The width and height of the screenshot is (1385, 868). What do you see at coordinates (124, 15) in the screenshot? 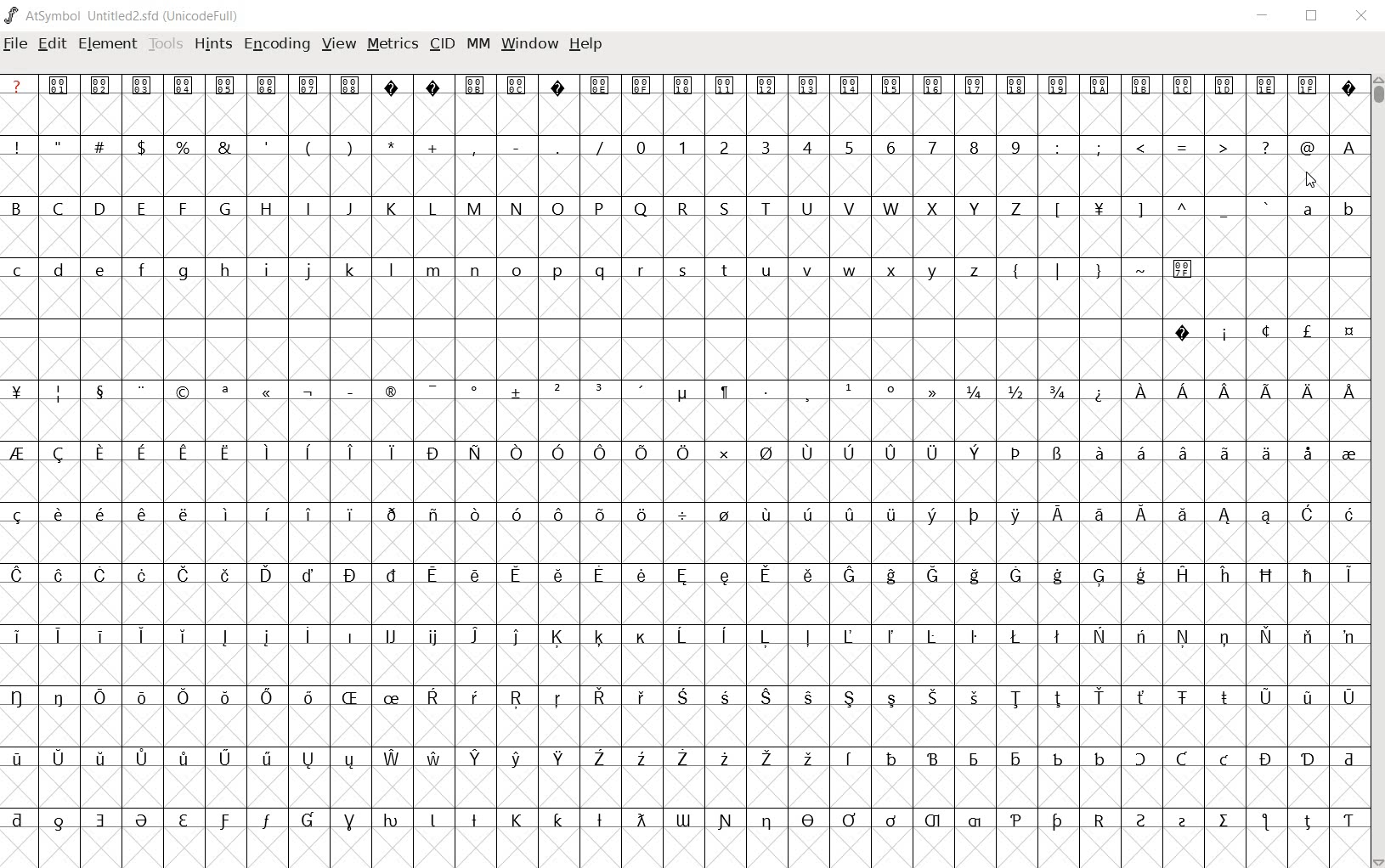
I see `FONT NAME` at bounding box center [124, 15].